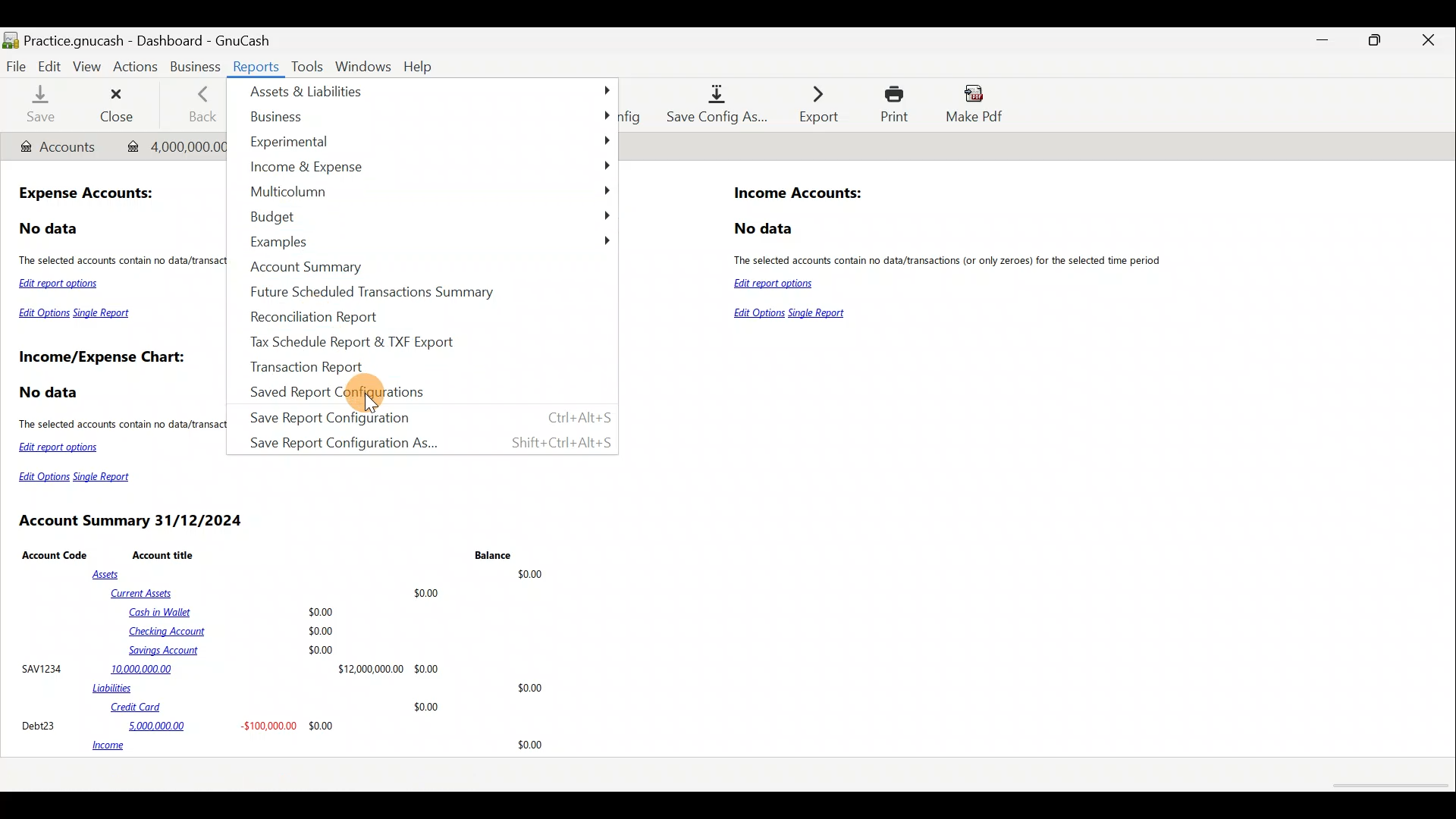  What do you see at coordinates (1429, 42) in the screenshot?
I see `Close` at bounding box center [1429, 42].